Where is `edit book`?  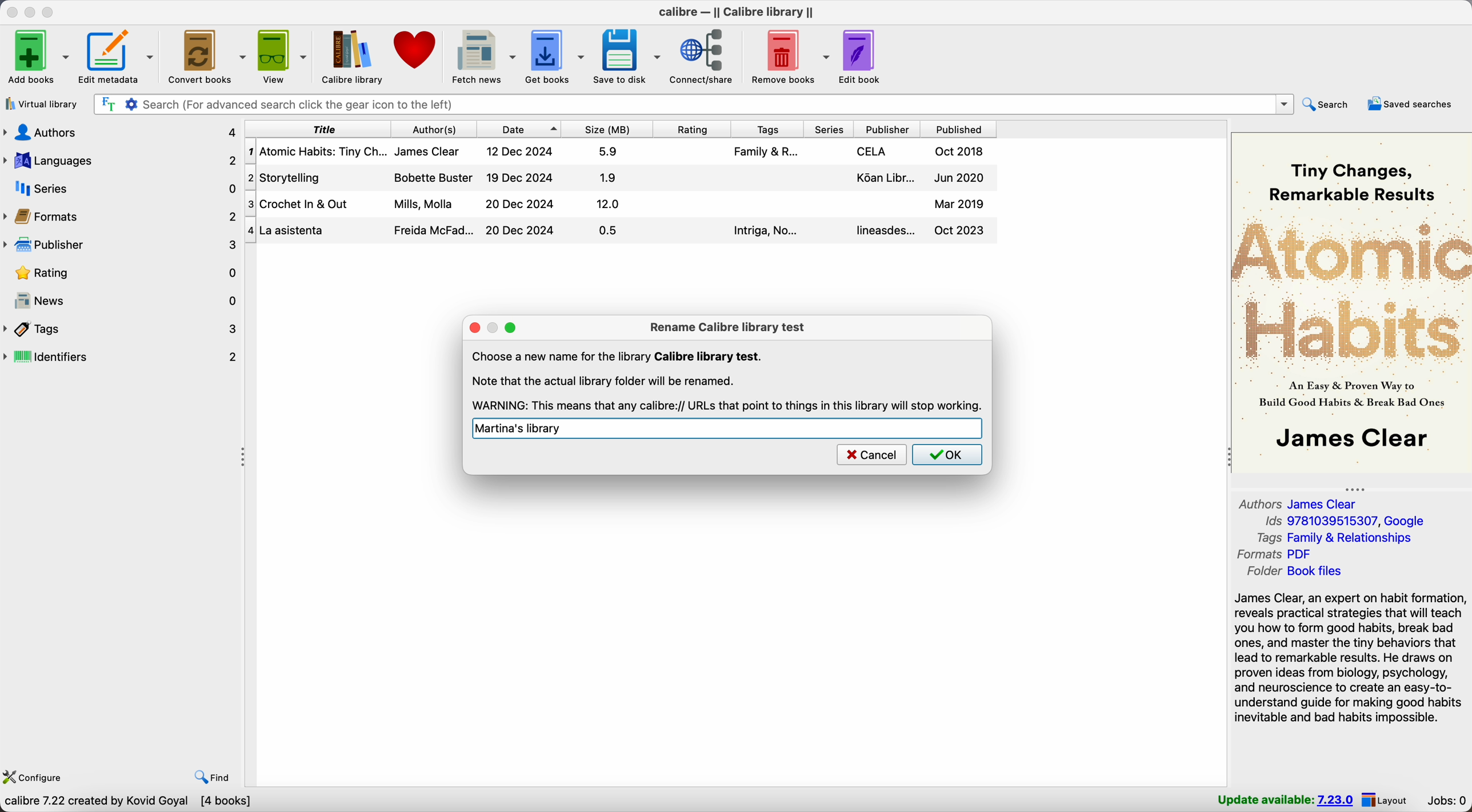 edit book is located at coordinates (862, 57).